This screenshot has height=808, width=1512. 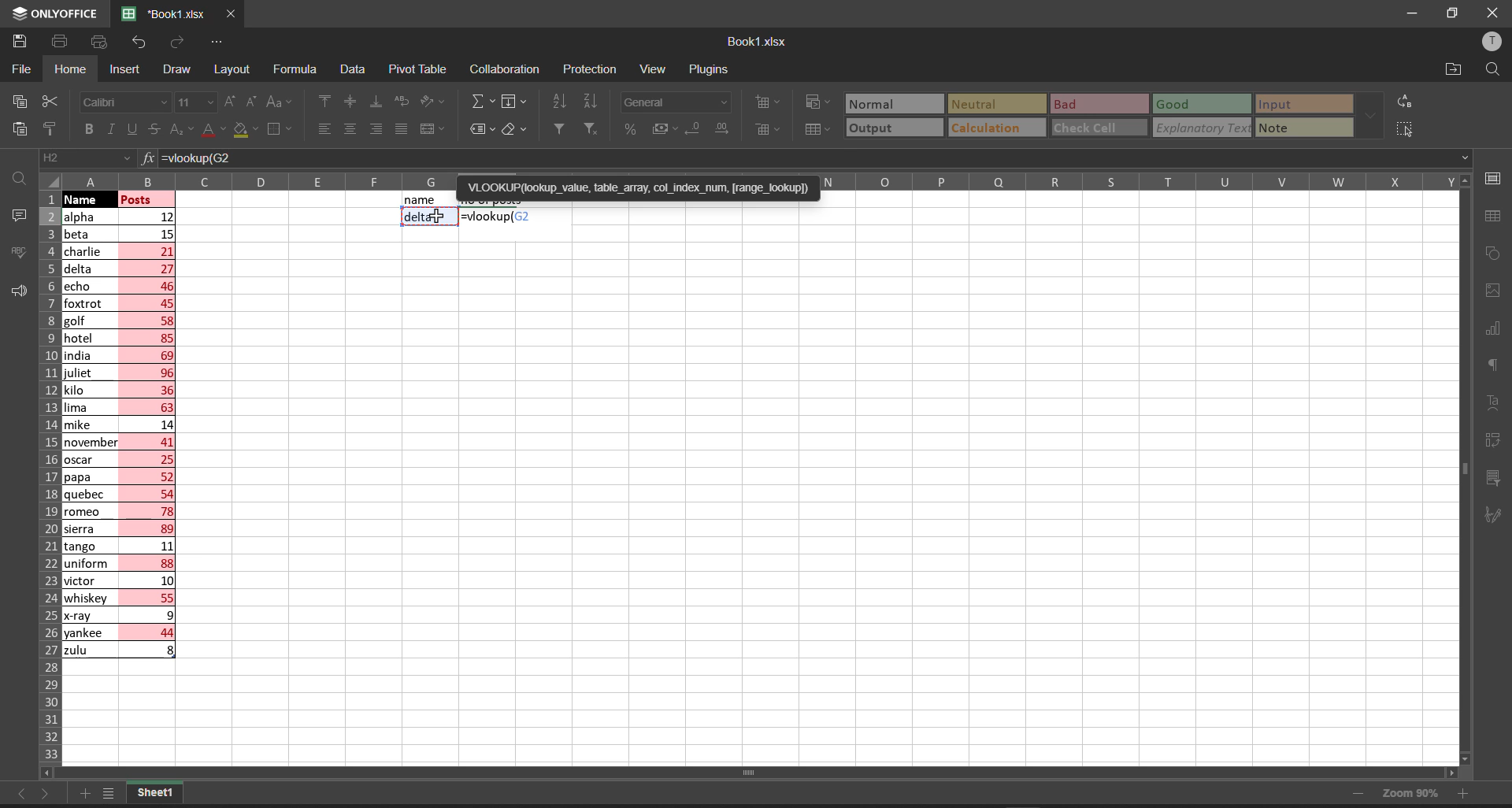 What do you see at coordinates (113, 795) in the screenshot?
I see `list of sheets` at bounding box center [113, 795].